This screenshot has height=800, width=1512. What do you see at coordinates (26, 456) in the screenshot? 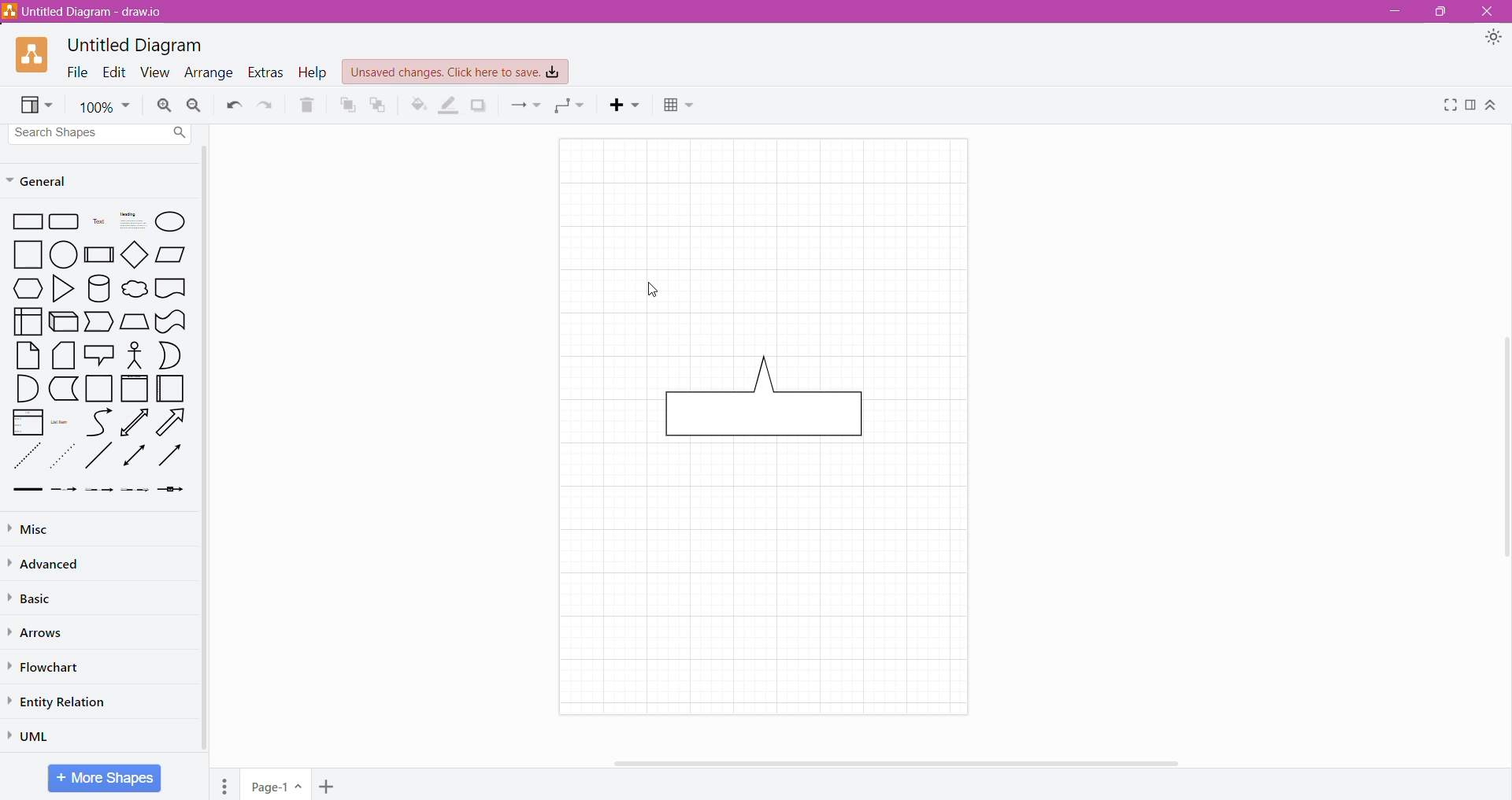
I see `Dotted Line ` at bounding box center [26, 456].